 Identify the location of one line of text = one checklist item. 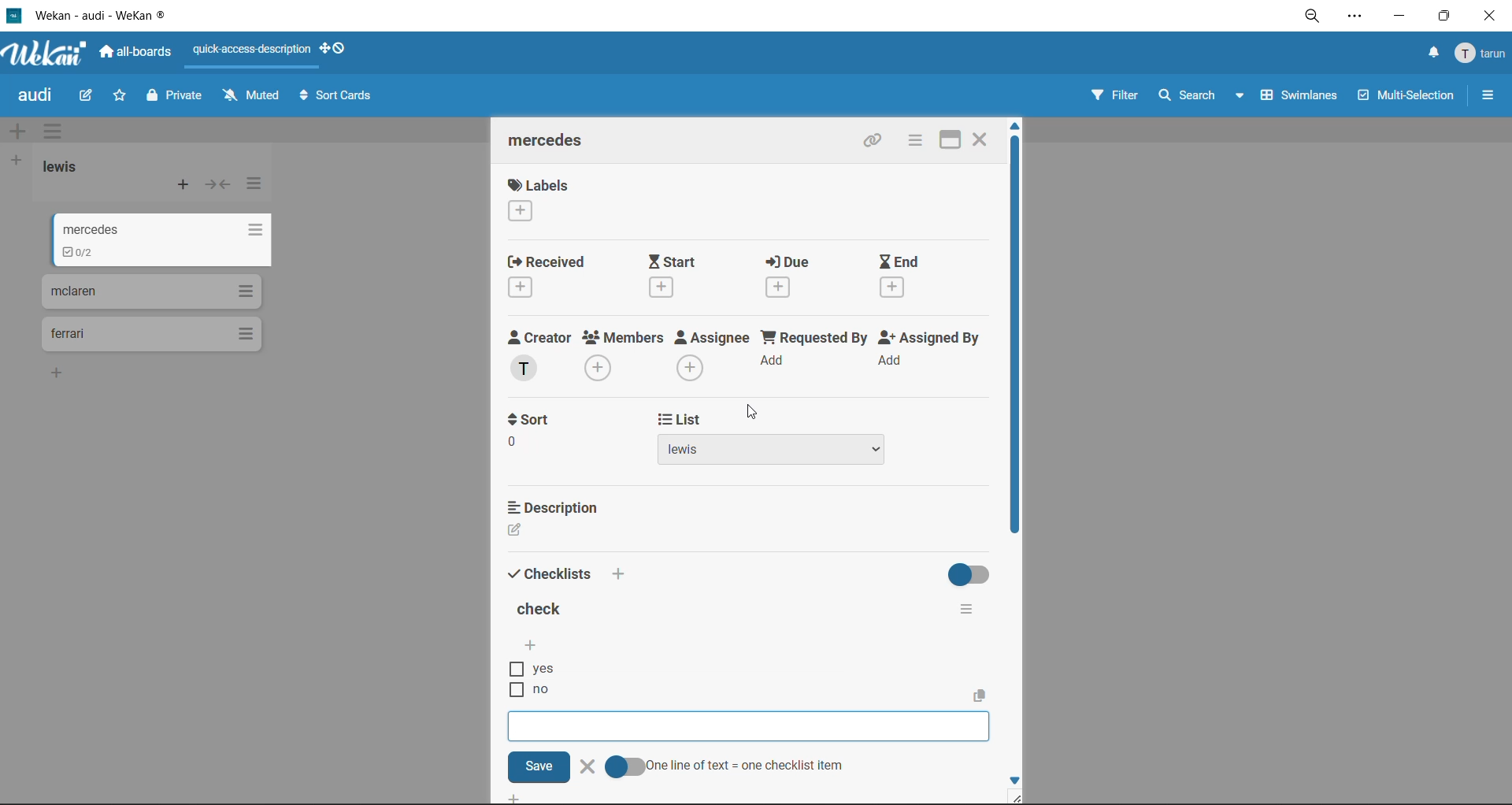
(727, 766).